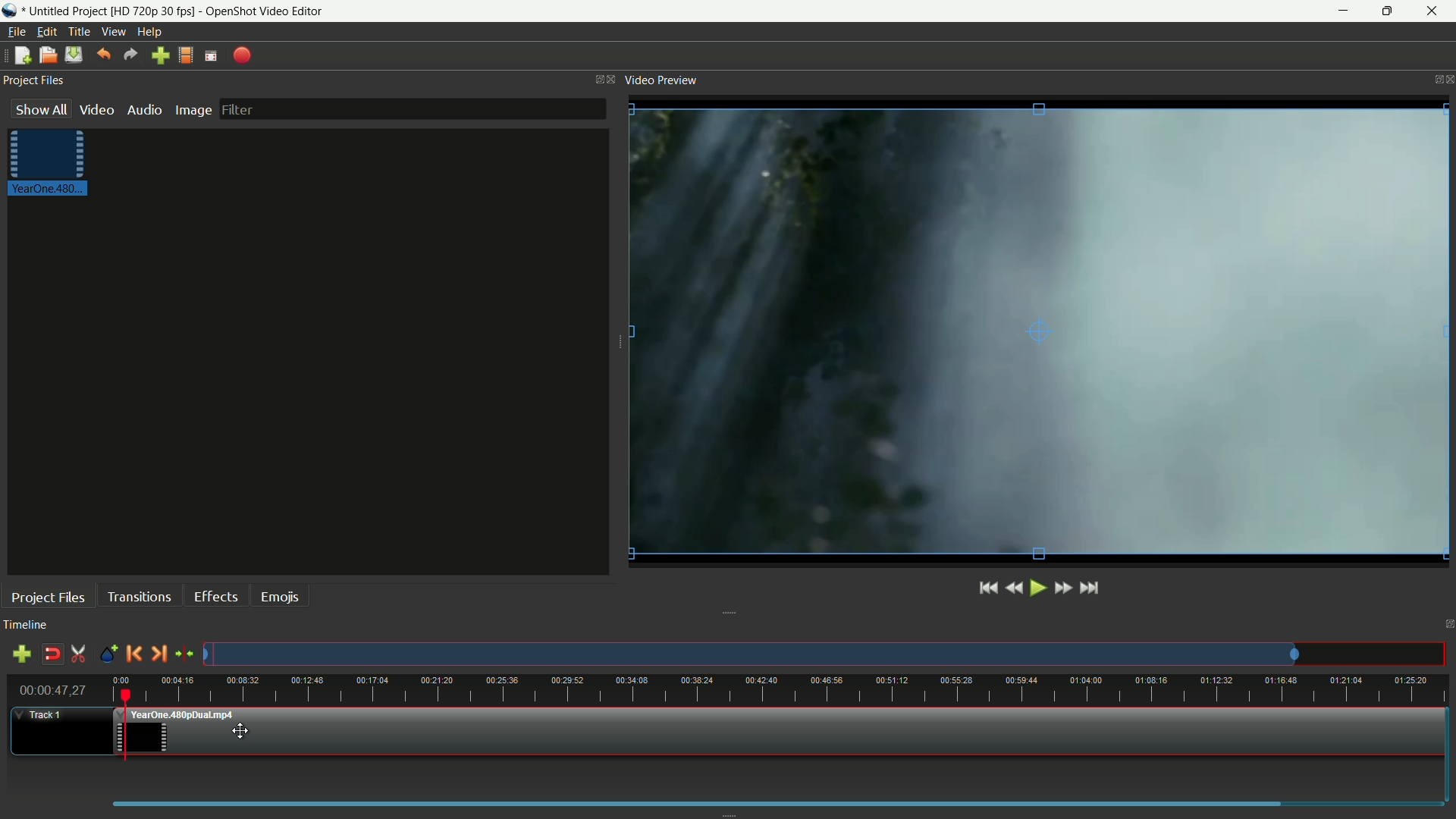  Describe the element at coordinates (750, 655) in the screenshot. I see `tracks preview` at that location.